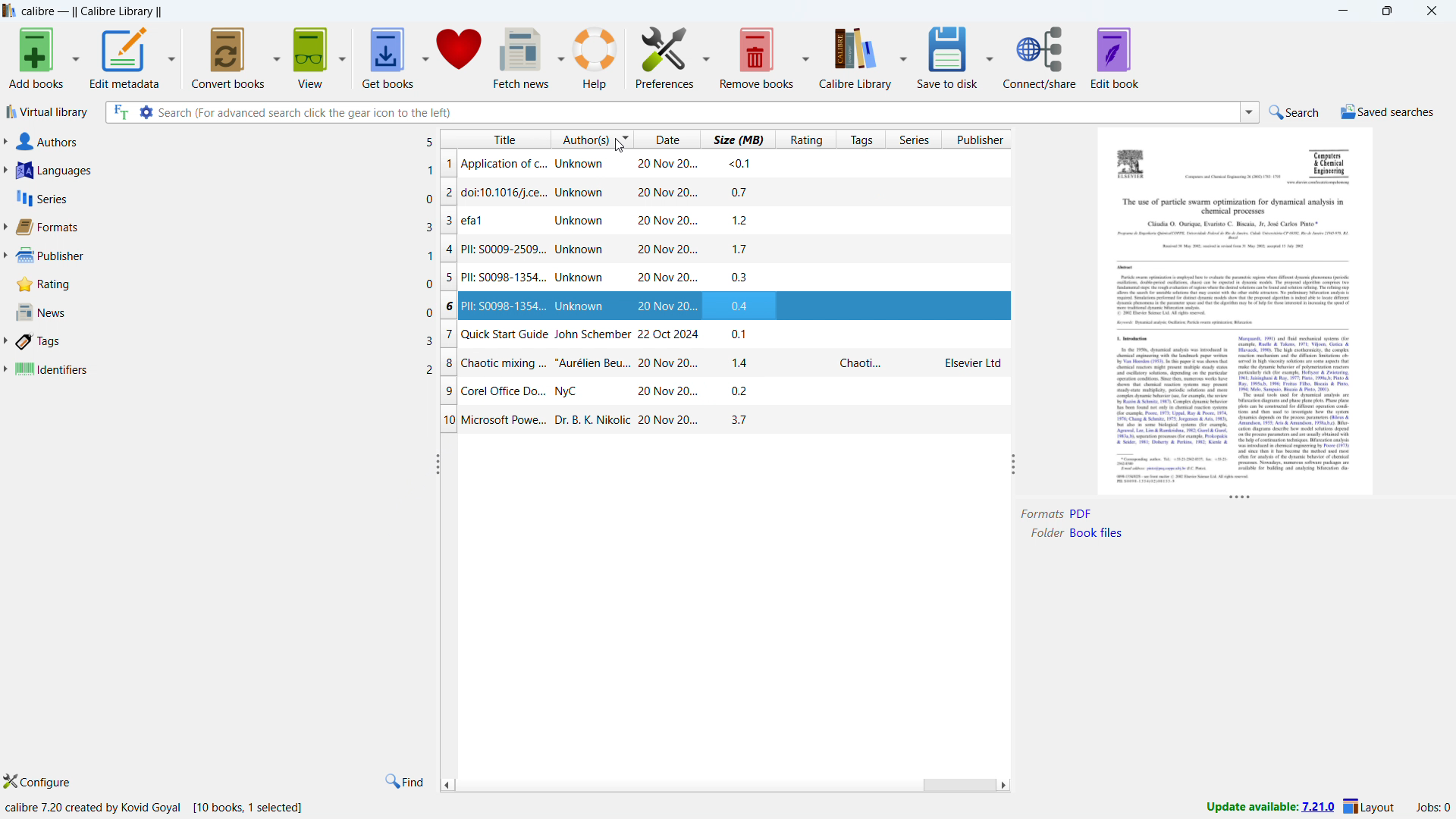 The width and height of the screenshot is (1456, 819). What do you see at coordinates (460, 58) in the screenshot?
I see `donate calibre` at bounding box center [460, 58].